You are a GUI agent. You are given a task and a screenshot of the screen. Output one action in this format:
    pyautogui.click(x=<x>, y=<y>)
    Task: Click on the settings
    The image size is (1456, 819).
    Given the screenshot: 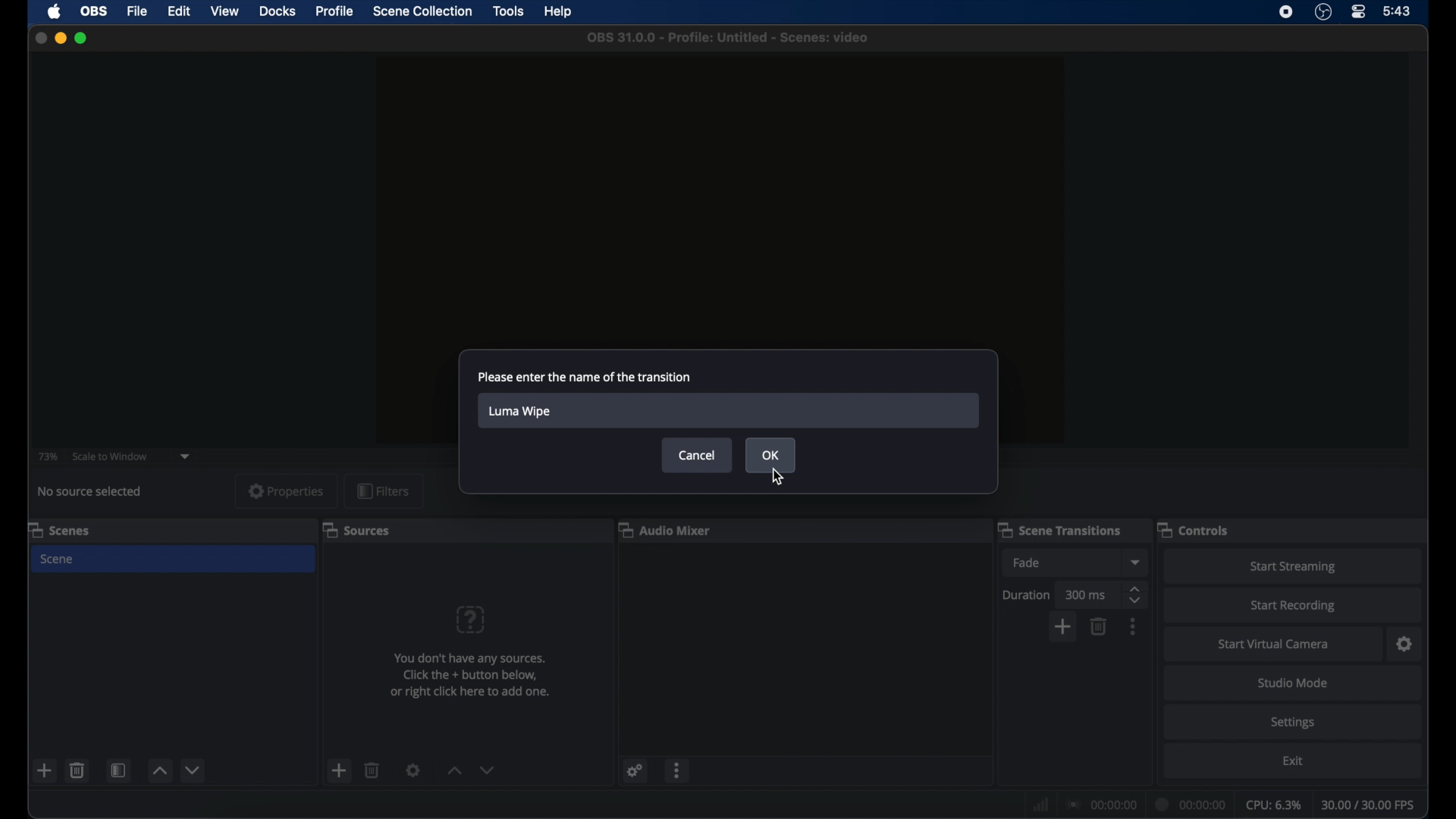 What is the action you would take?
    pyautogui.click(x=413, y=770)
    